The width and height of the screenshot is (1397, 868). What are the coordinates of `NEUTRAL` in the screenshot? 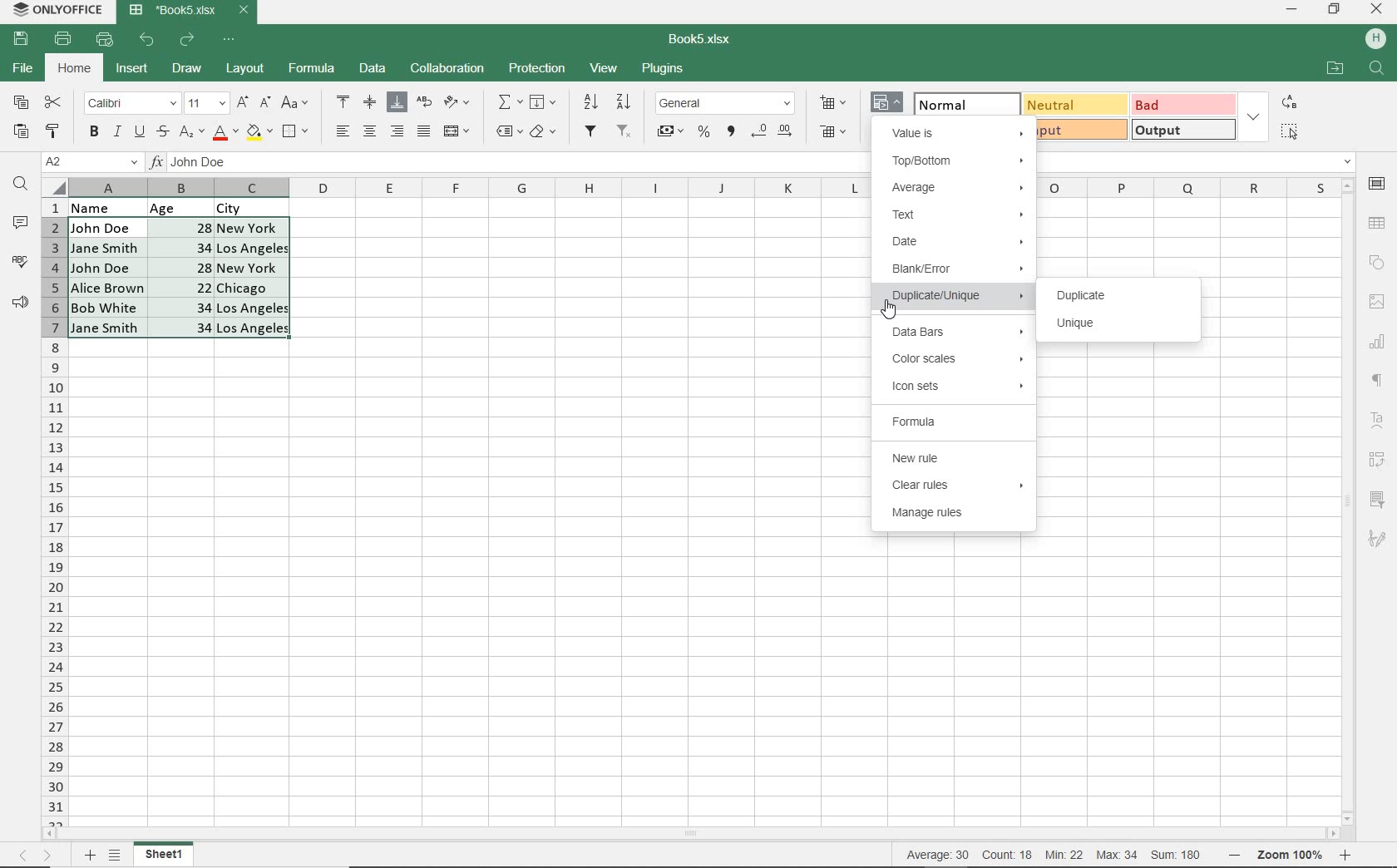 It's located at (1073, 104).